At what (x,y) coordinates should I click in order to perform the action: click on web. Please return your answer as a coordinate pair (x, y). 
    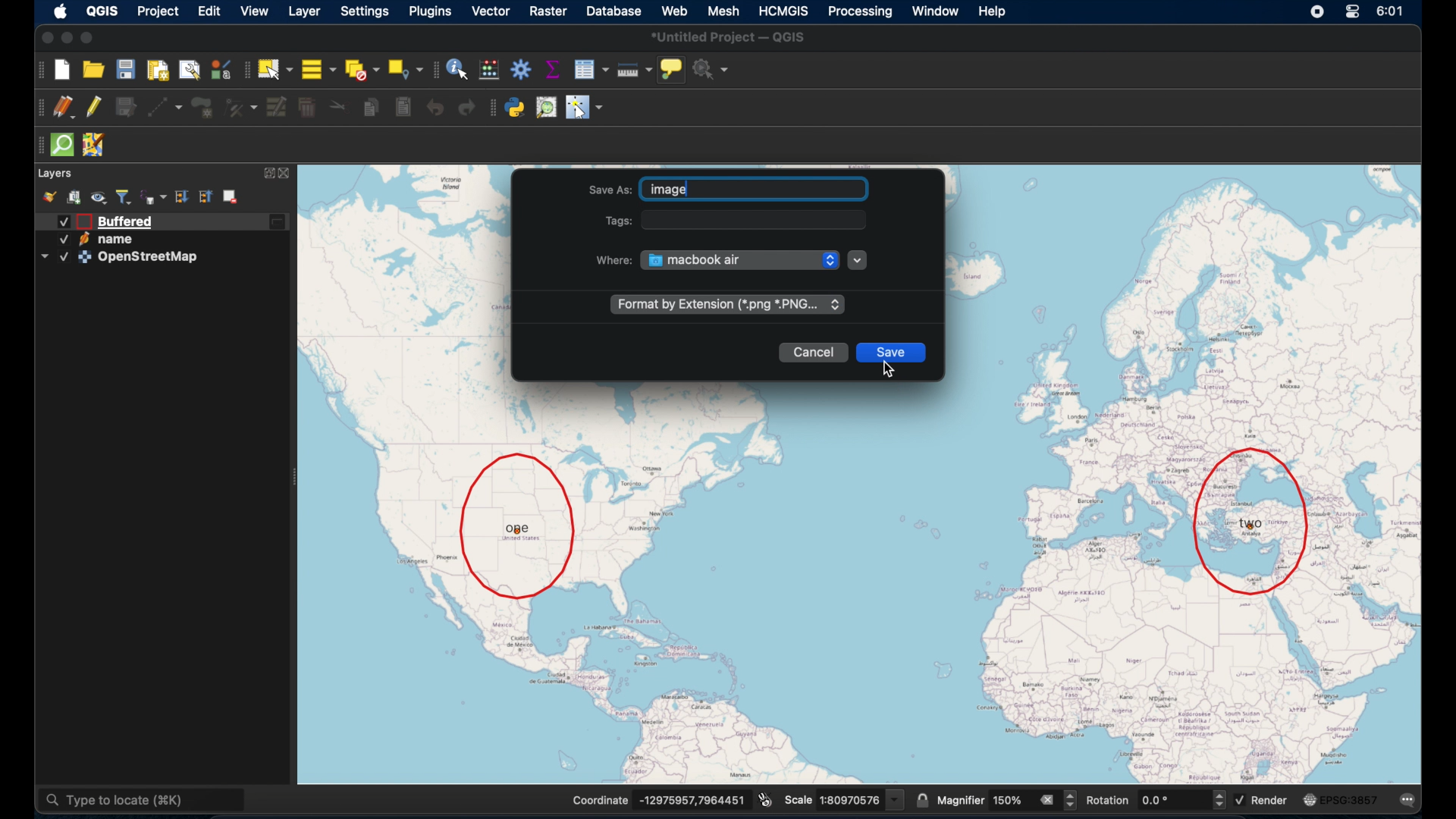
    Looking at the image, I should click on (674, 8).